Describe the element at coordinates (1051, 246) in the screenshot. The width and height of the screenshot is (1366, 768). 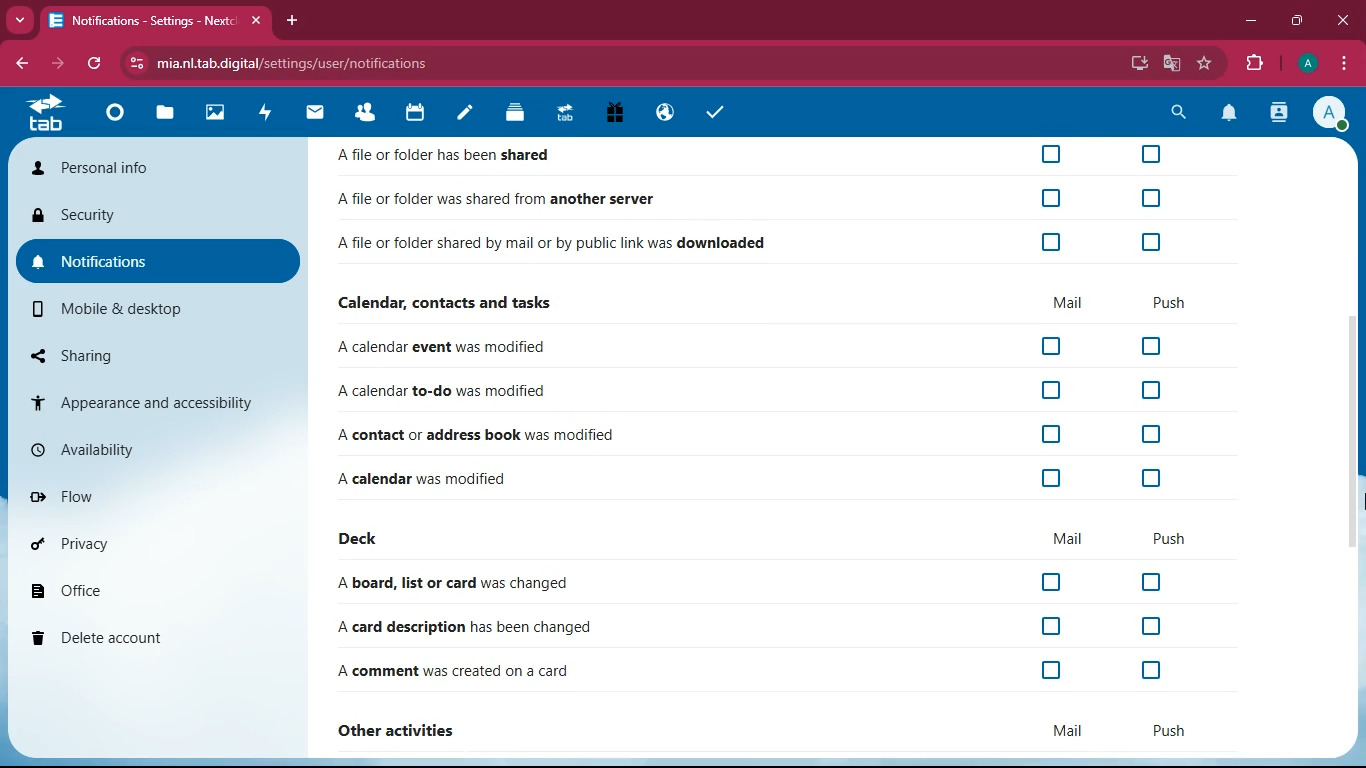
I see `off` at that location.